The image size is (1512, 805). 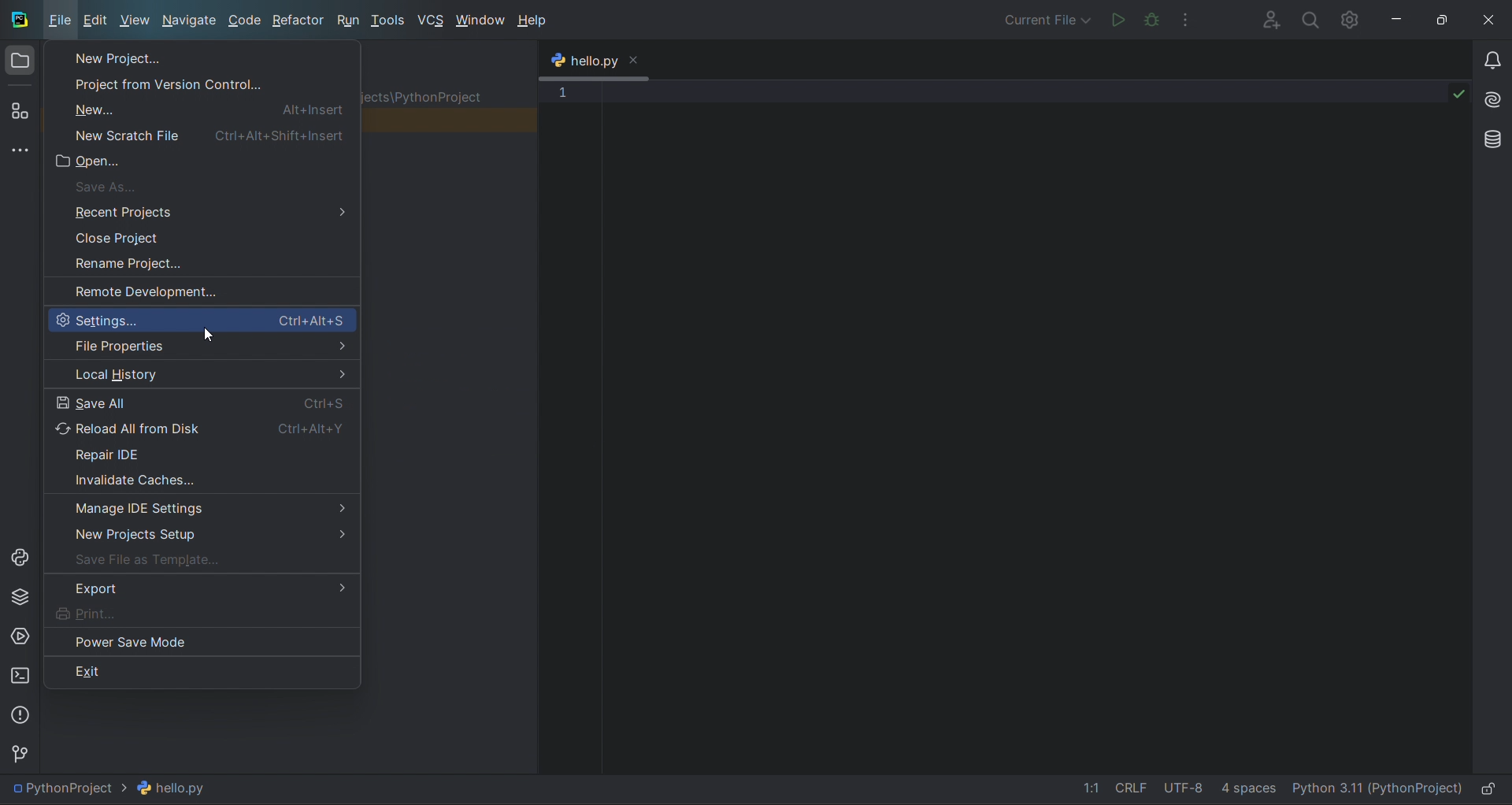 What do you see at coordinates (201, 640) in the screenshot?
I see `power save mode` at bounding box center [201, 640].